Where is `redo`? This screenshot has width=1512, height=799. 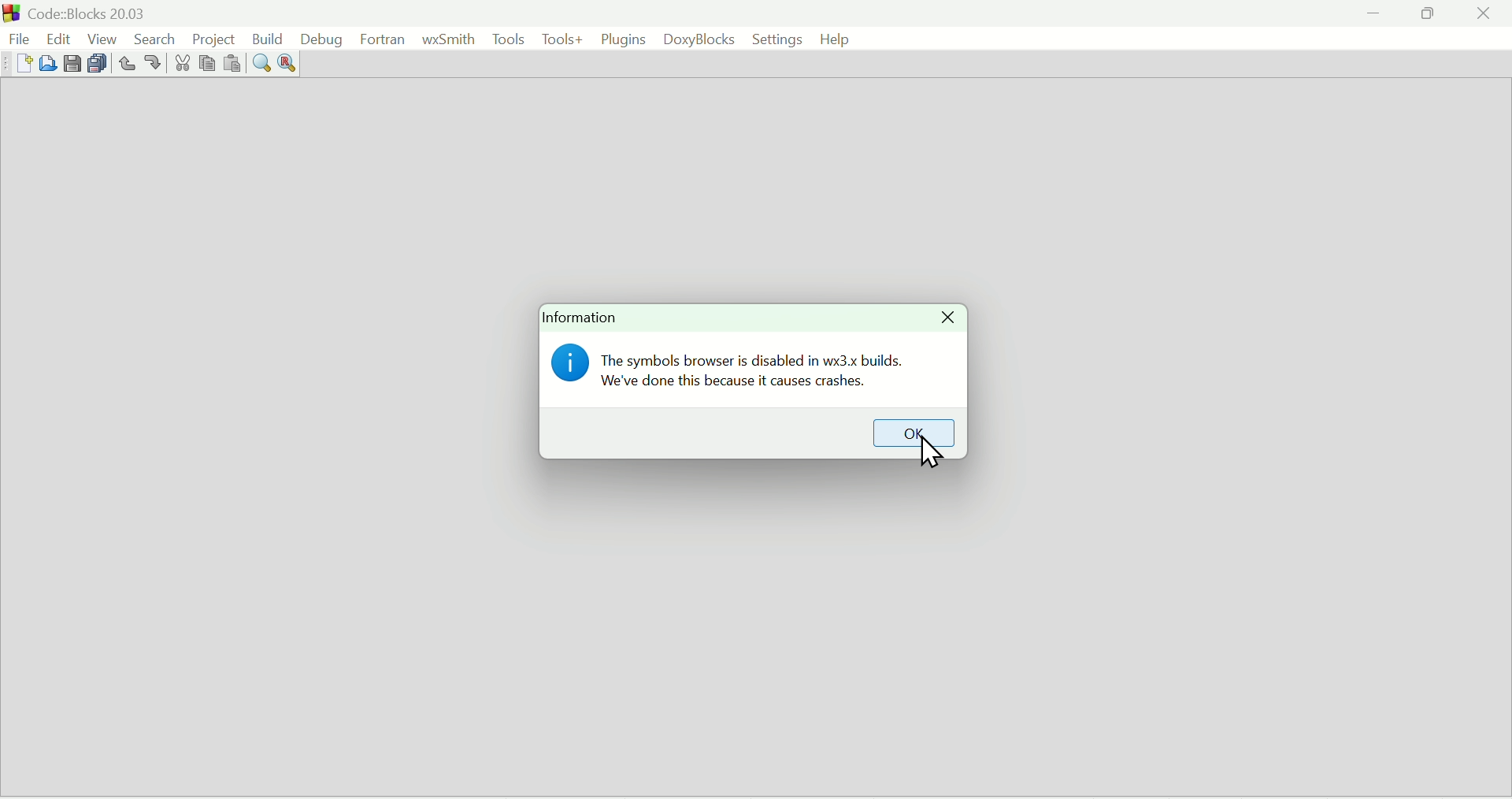
redo is located at coordinates (154, 64).